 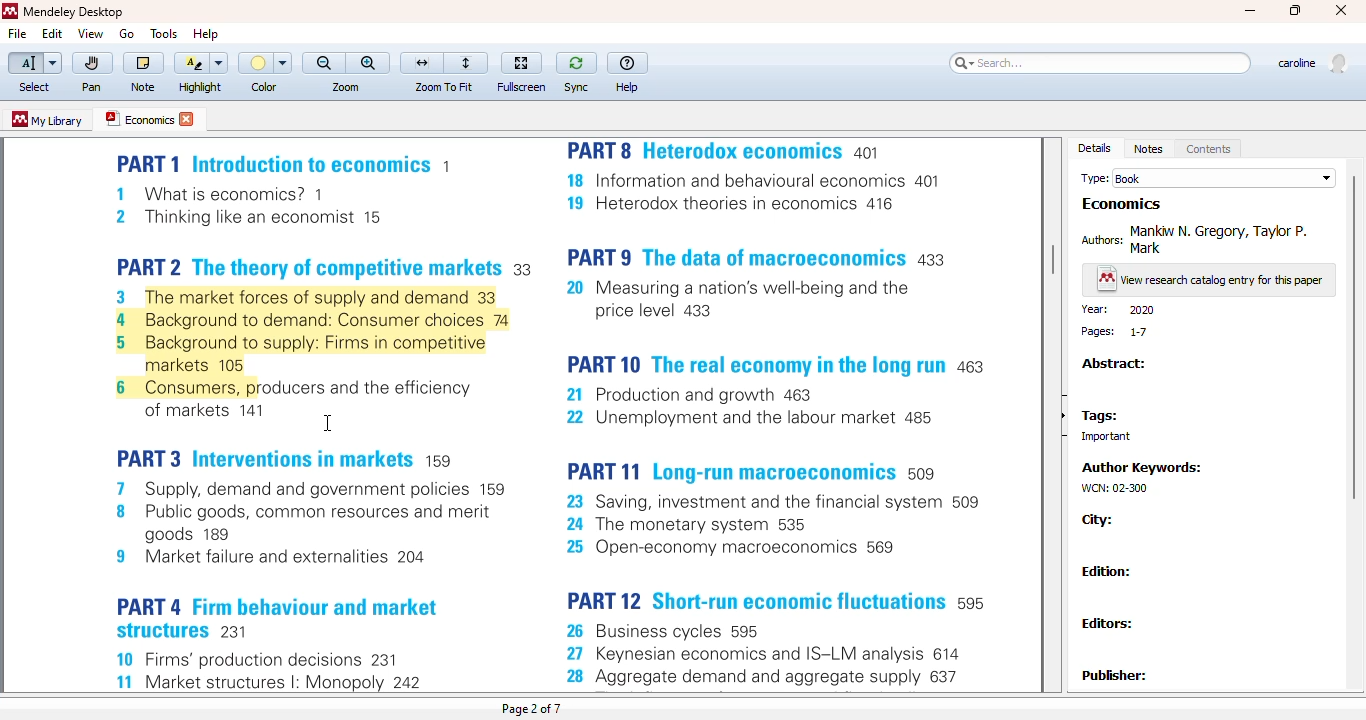 What do you see at coordinates (522, 87) in the screenshot?
I see `fullscreen` at bounding box center [522, 87].